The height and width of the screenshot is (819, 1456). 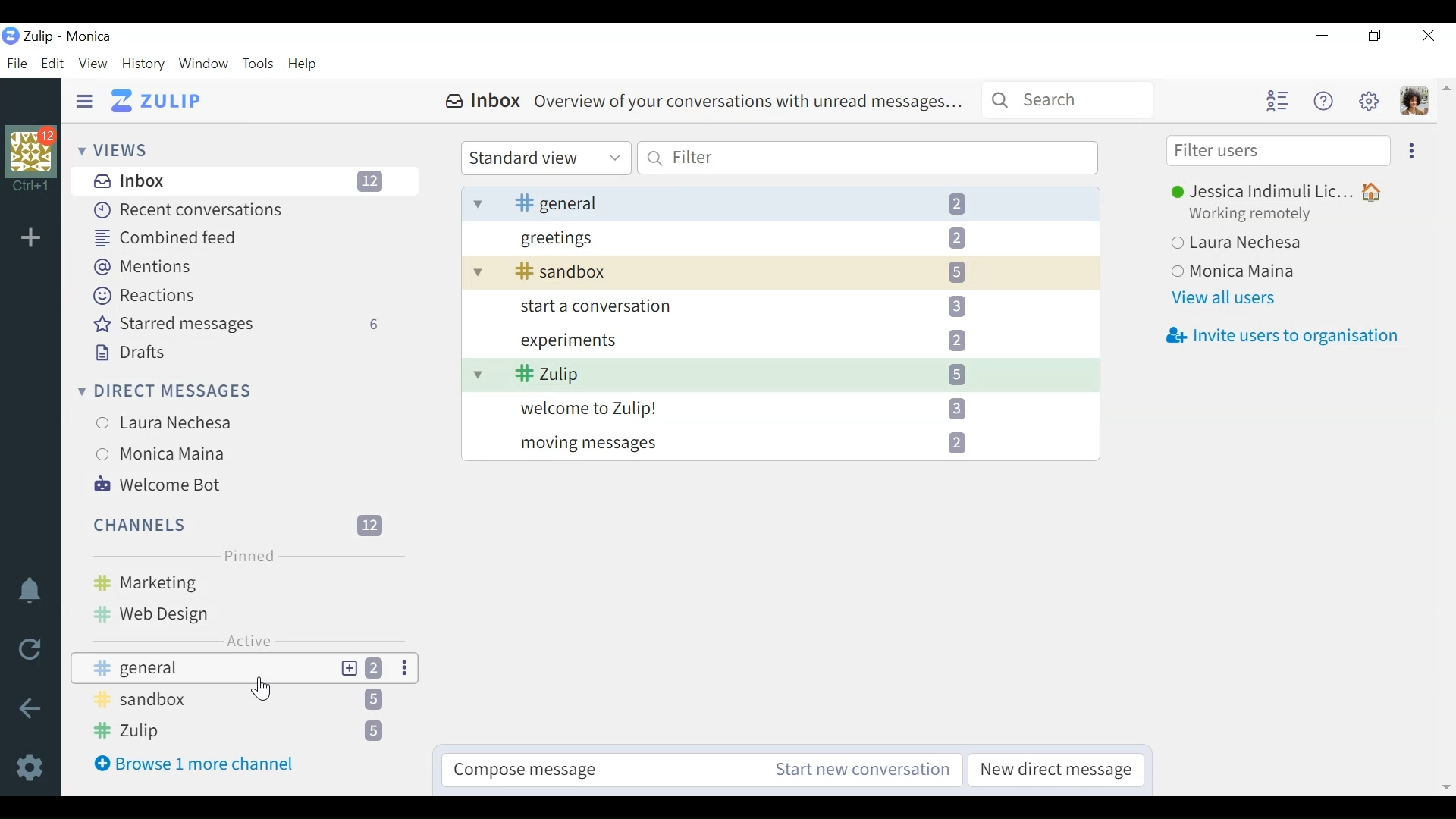 I want to click on Help , so click(x=1320, y=100).